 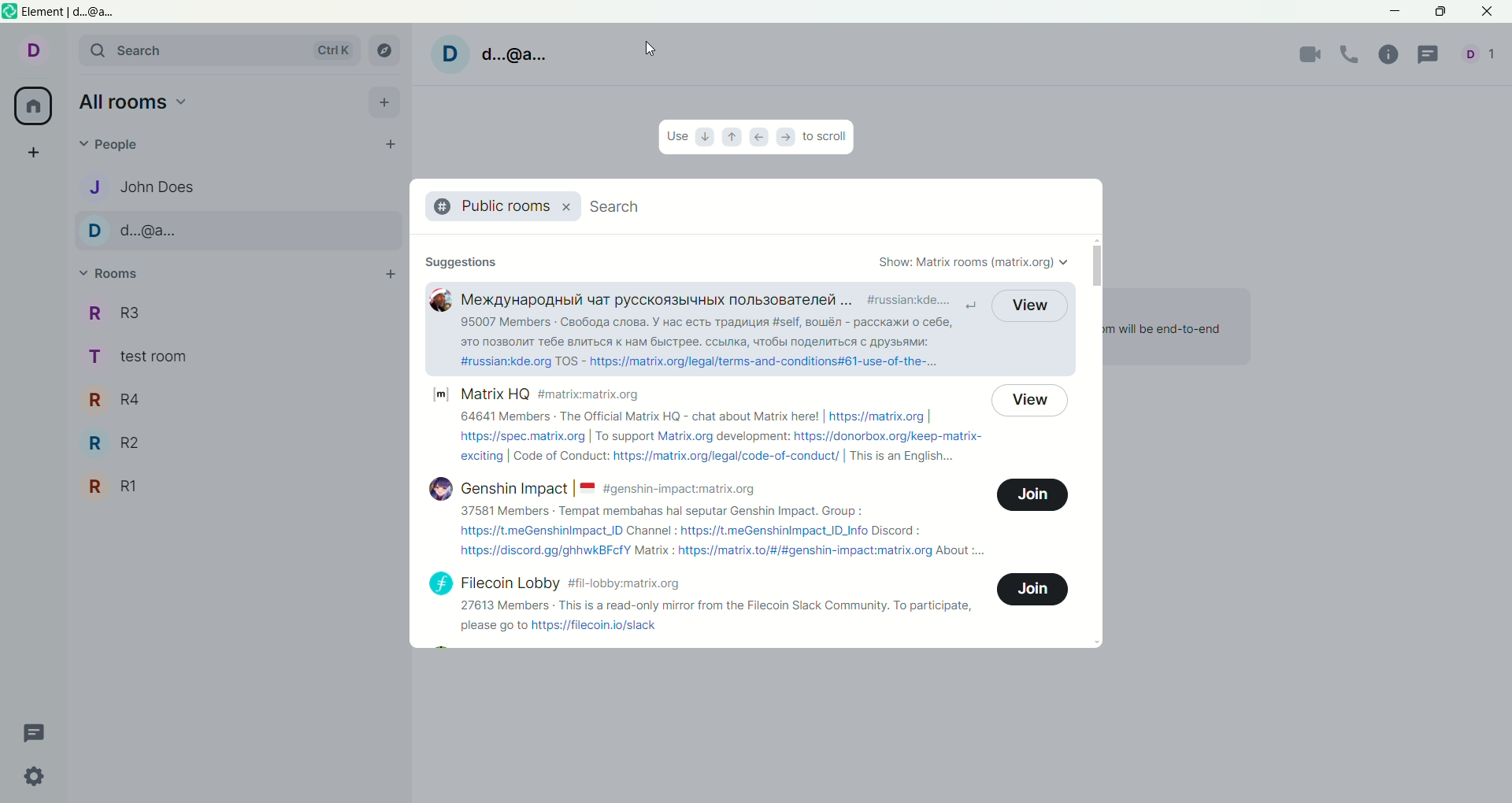 I want to click on To support, so click(x=625, y=437).